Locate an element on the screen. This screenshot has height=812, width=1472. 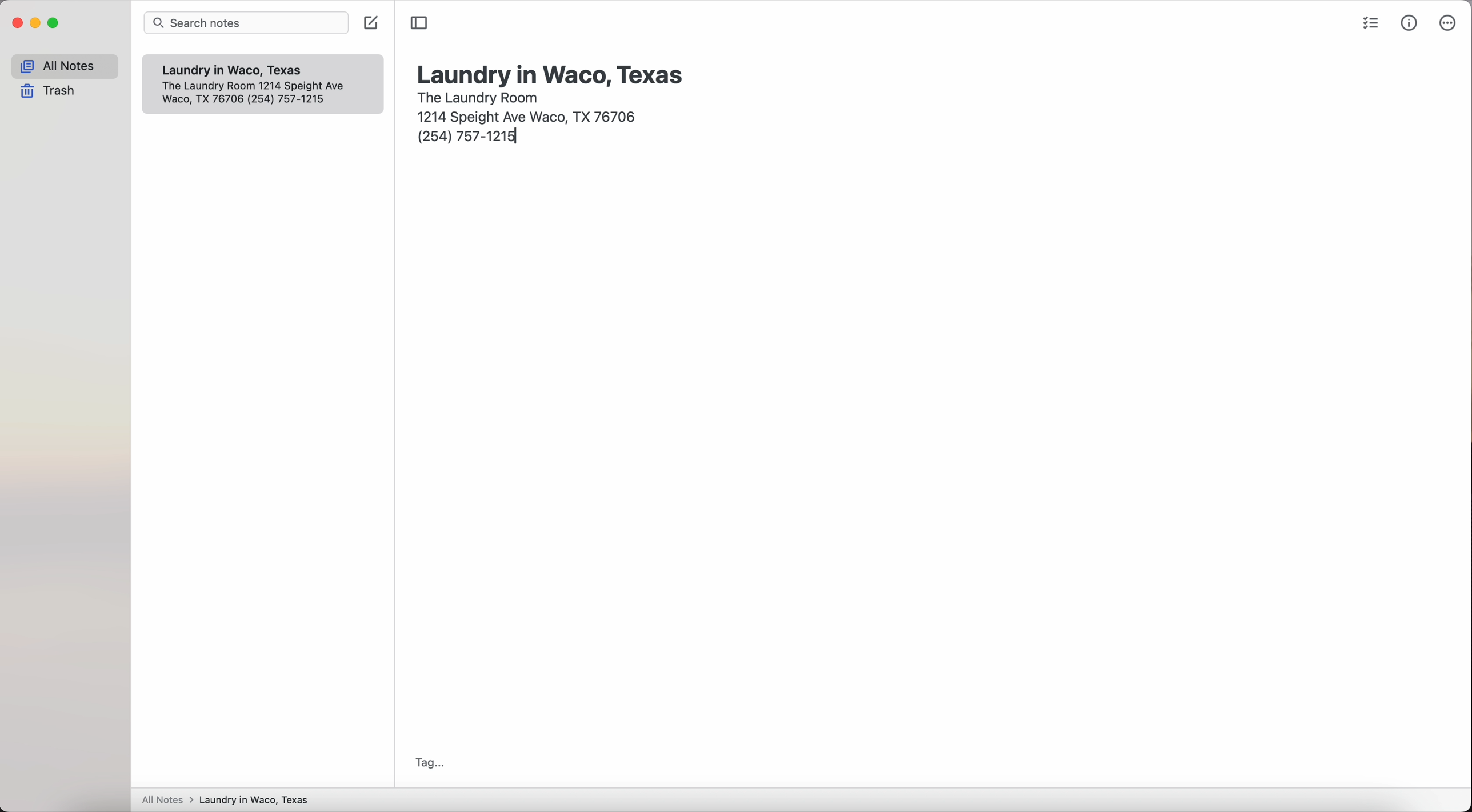
more options is located at coordinates (1446, 23).